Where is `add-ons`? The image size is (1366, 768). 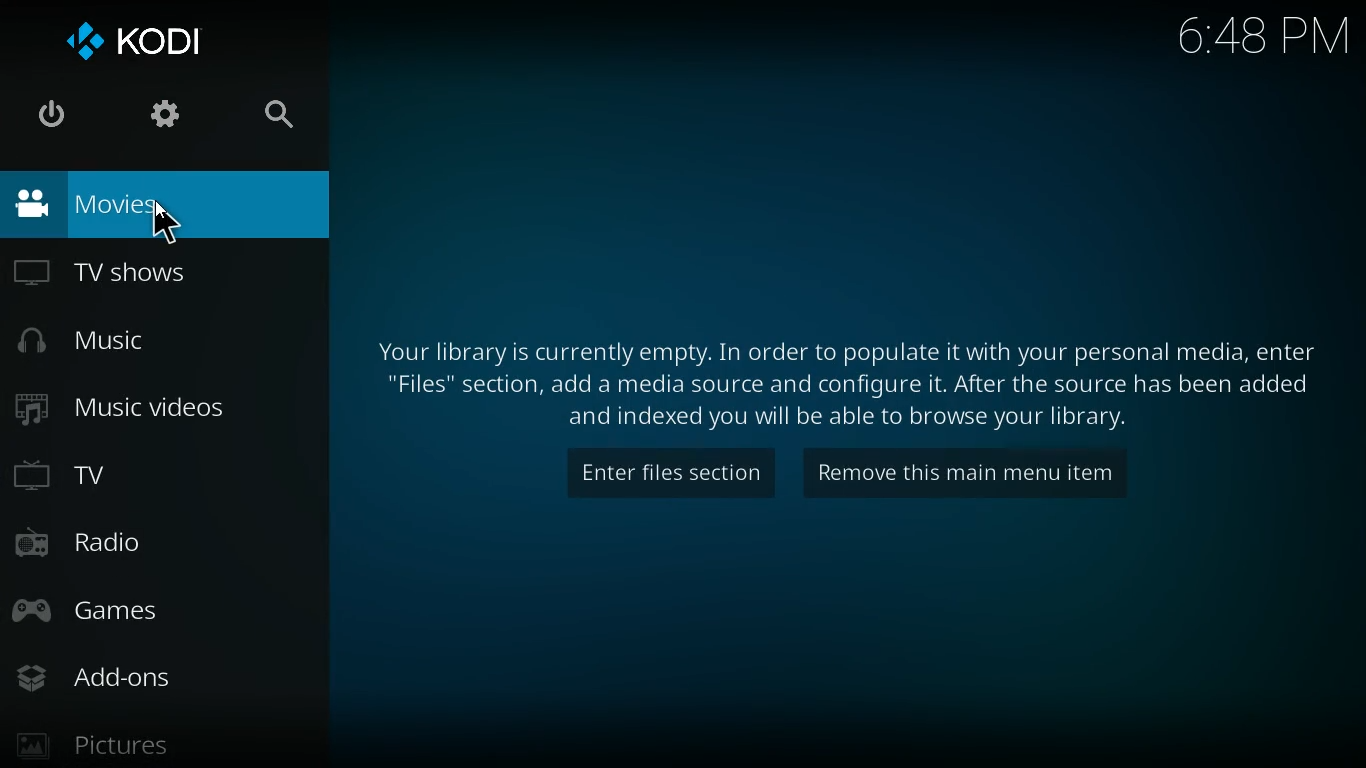
add-ons is located at coordinates (155, 674).